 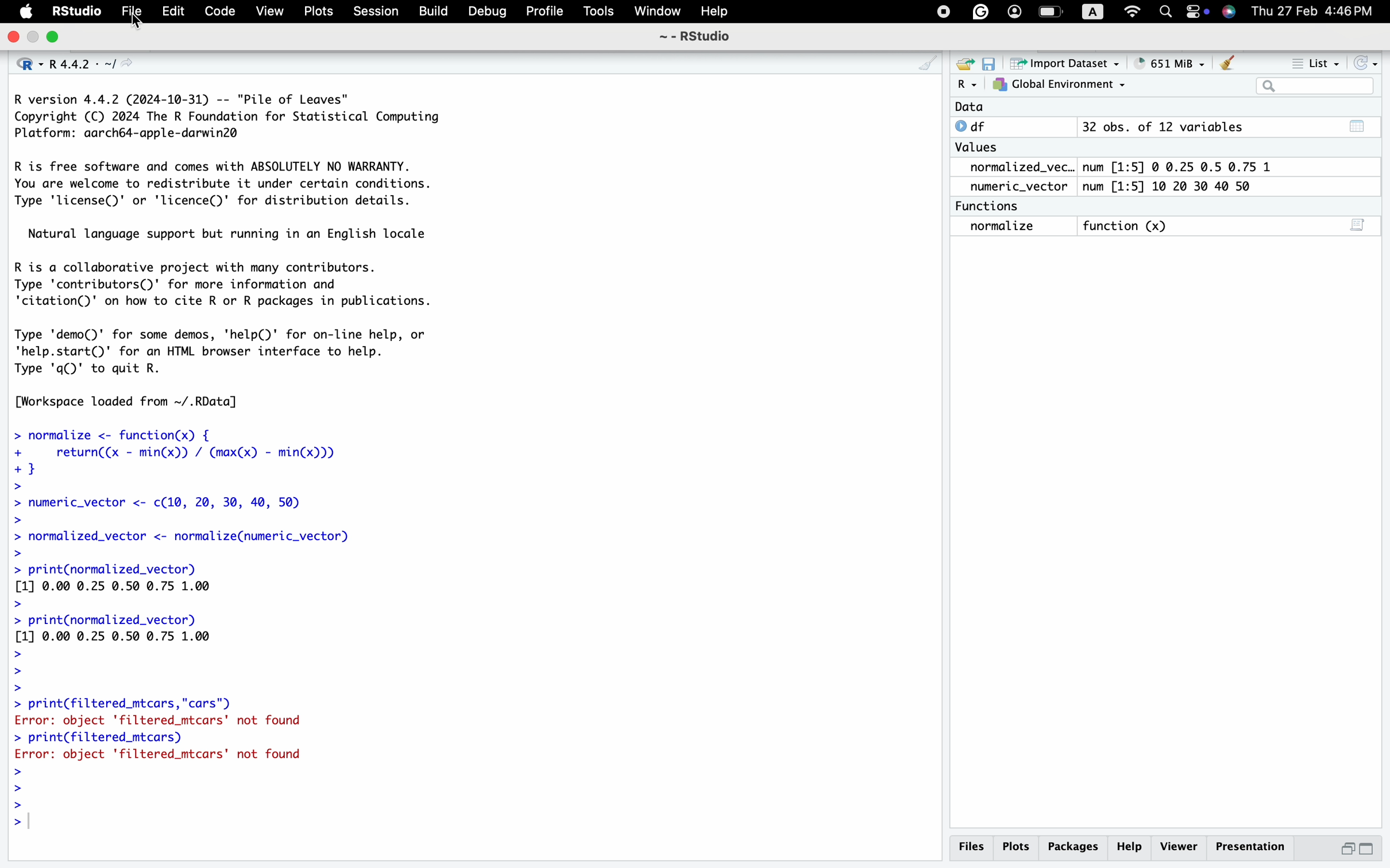 I want to click on Search, so click(x=1316, y=86).